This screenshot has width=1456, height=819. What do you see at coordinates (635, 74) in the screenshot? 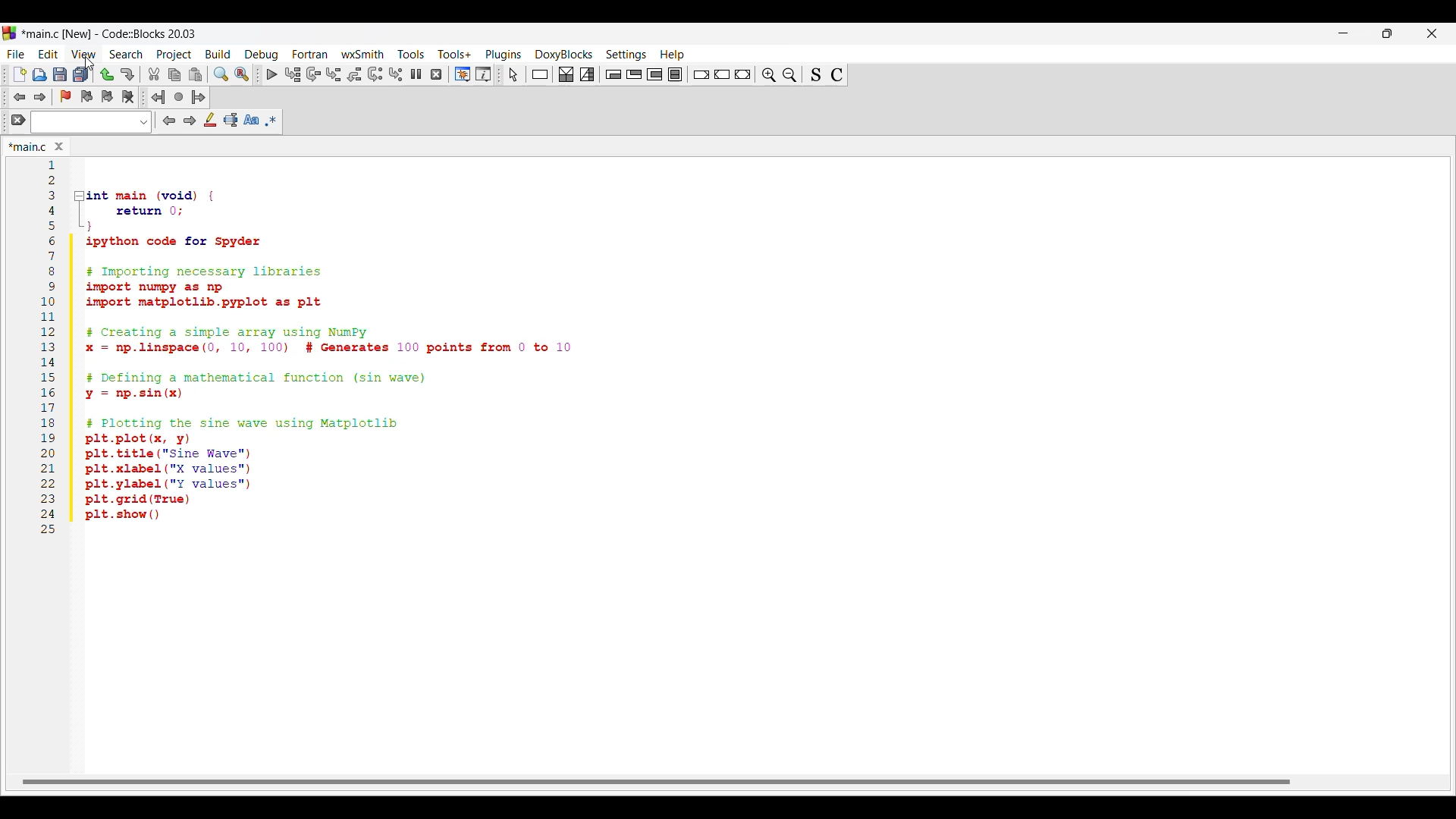
I see `Exit condition loop` at bounding box center [635, 74].